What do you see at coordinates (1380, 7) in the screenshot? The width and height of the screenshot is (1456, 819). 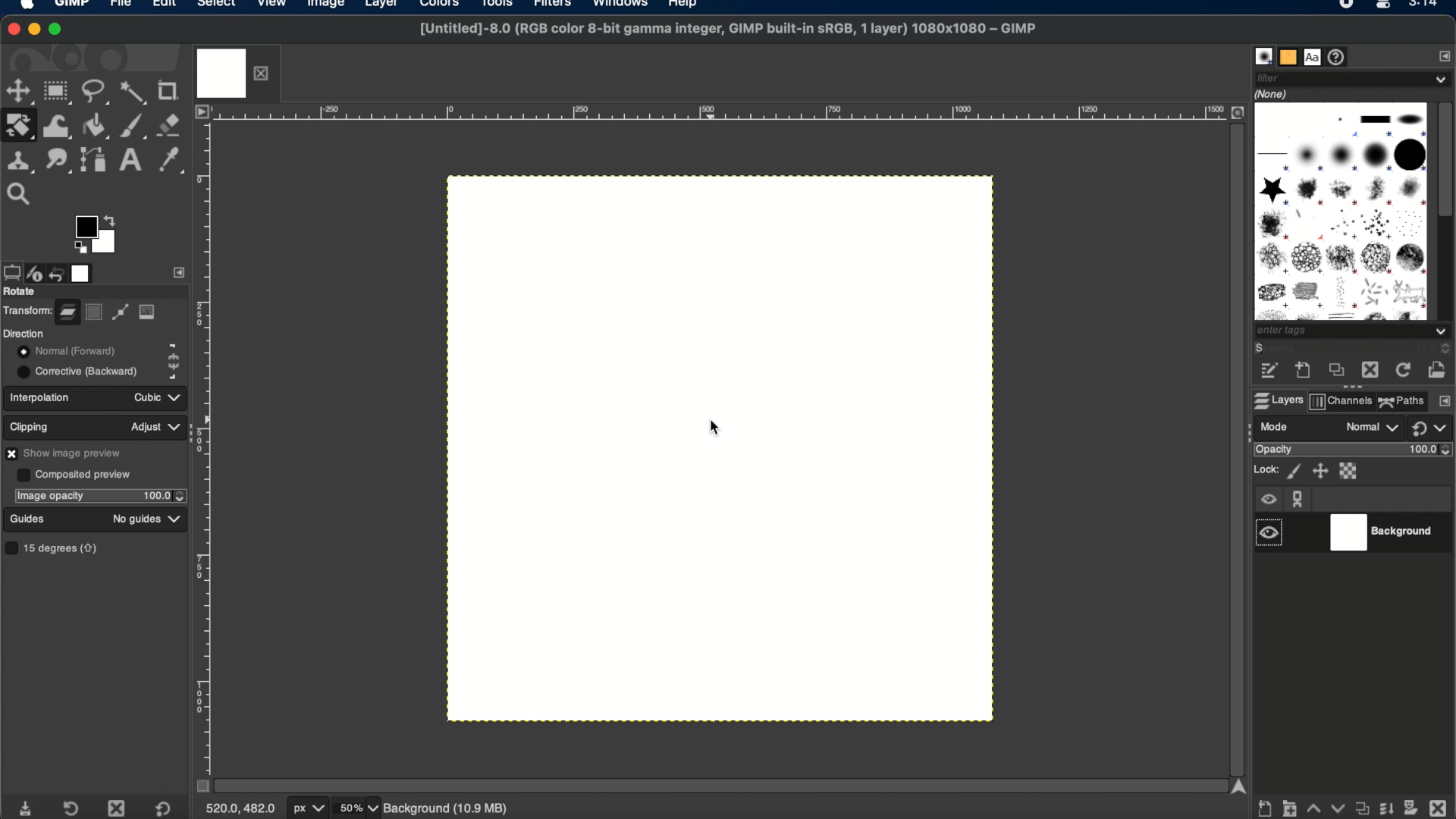 I see `Mac control center` at bounding box center [1380, 7].